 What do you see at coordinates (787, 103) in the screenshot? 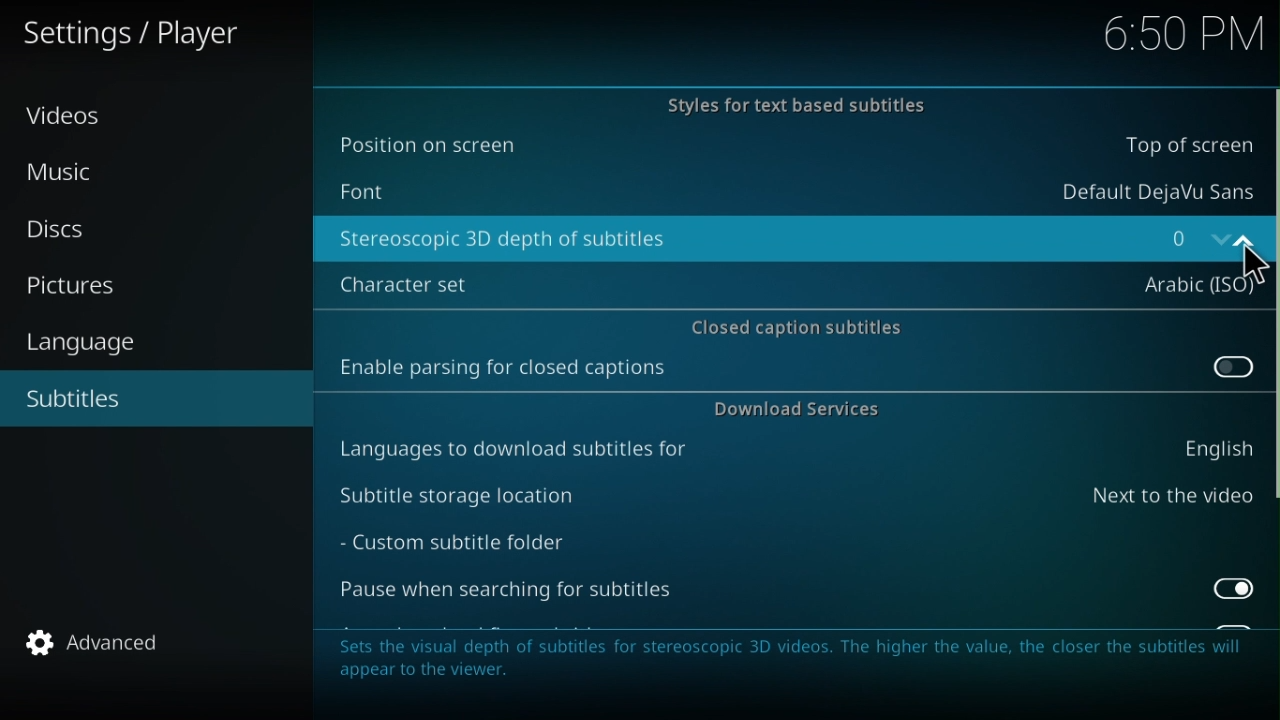
I see `Styles for the text based subtitles` at bounding box center [787, 103].